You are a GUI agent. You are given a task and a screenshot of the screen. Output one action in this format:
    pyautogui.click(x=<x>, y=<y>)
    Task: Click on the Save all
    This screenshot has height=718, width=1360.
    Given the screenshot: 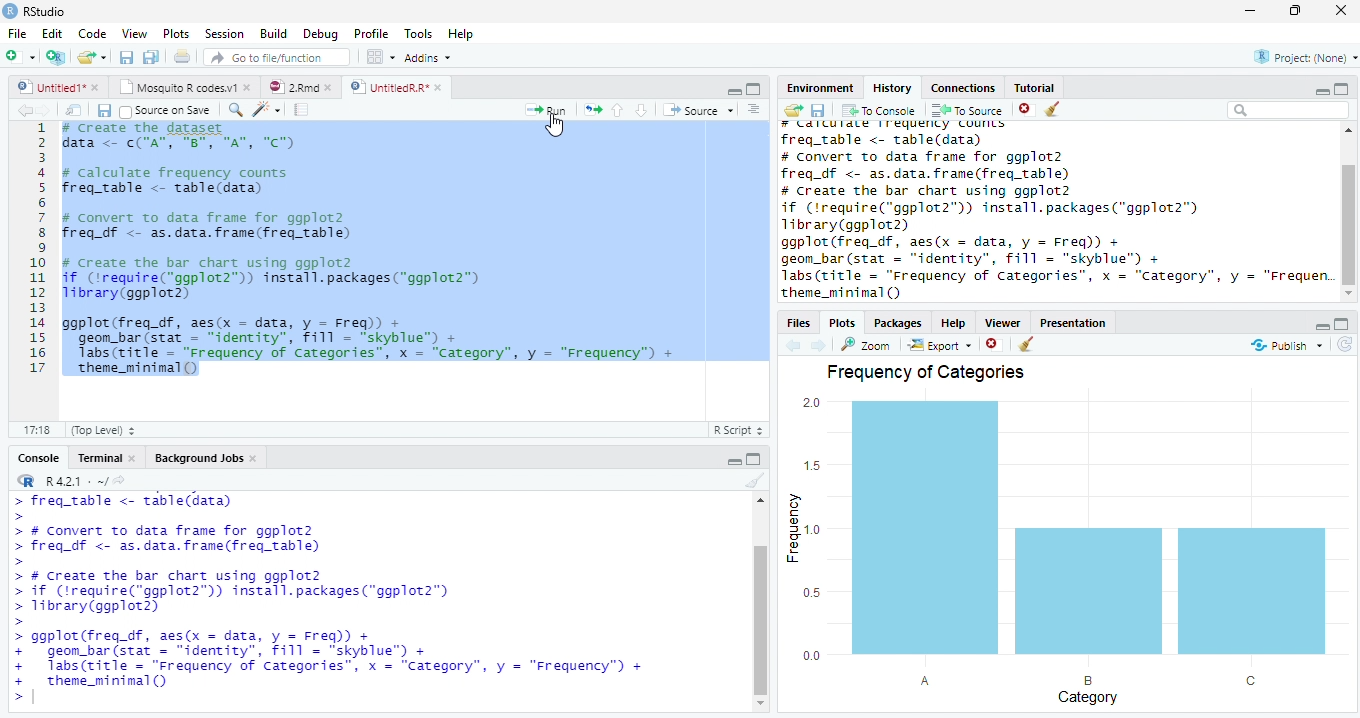 What is the action you would take?
    pyautogui.click(x=153, y=58)
    